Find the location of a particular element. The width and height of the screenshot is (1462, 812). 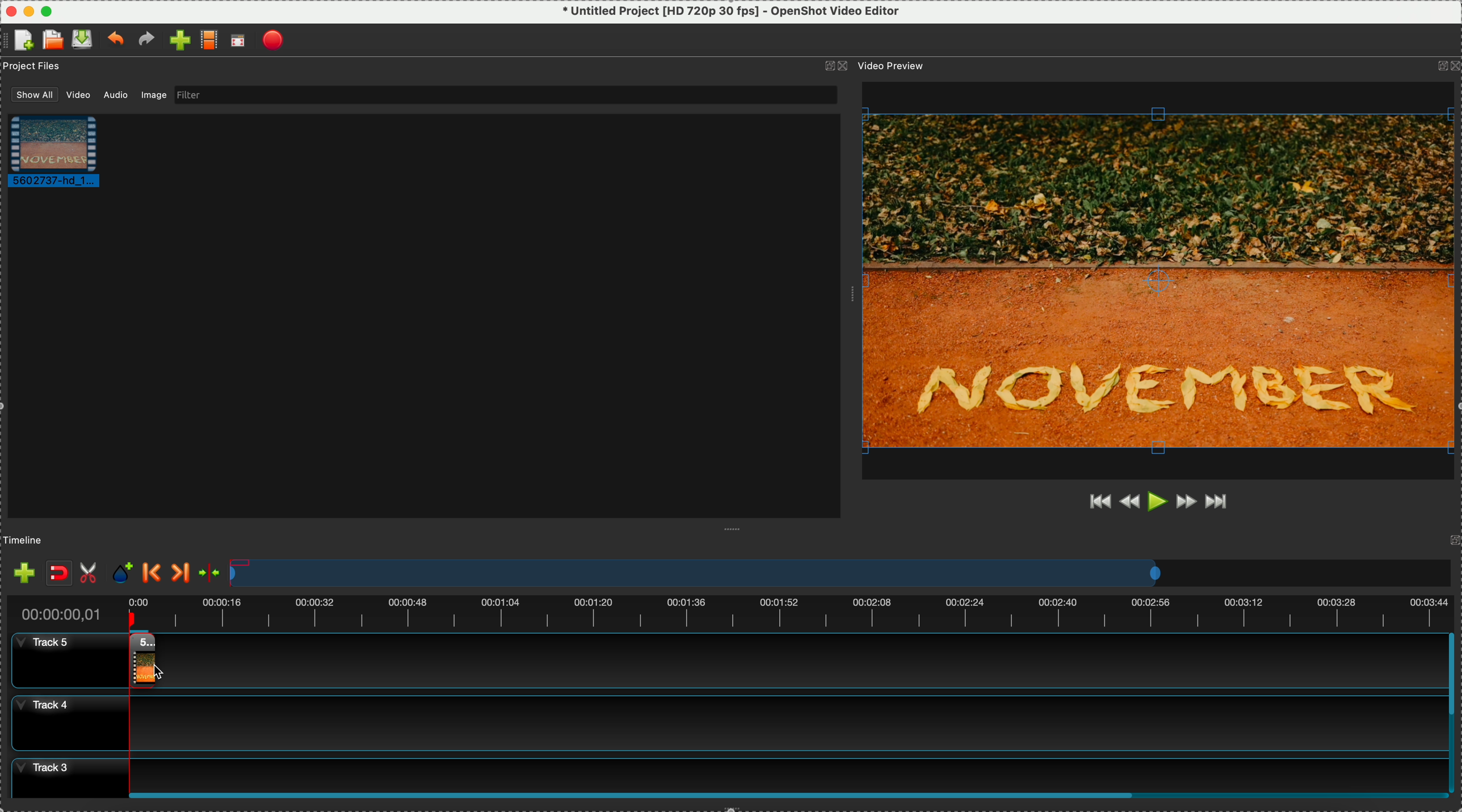

import files is located at coordinates (21, 570).